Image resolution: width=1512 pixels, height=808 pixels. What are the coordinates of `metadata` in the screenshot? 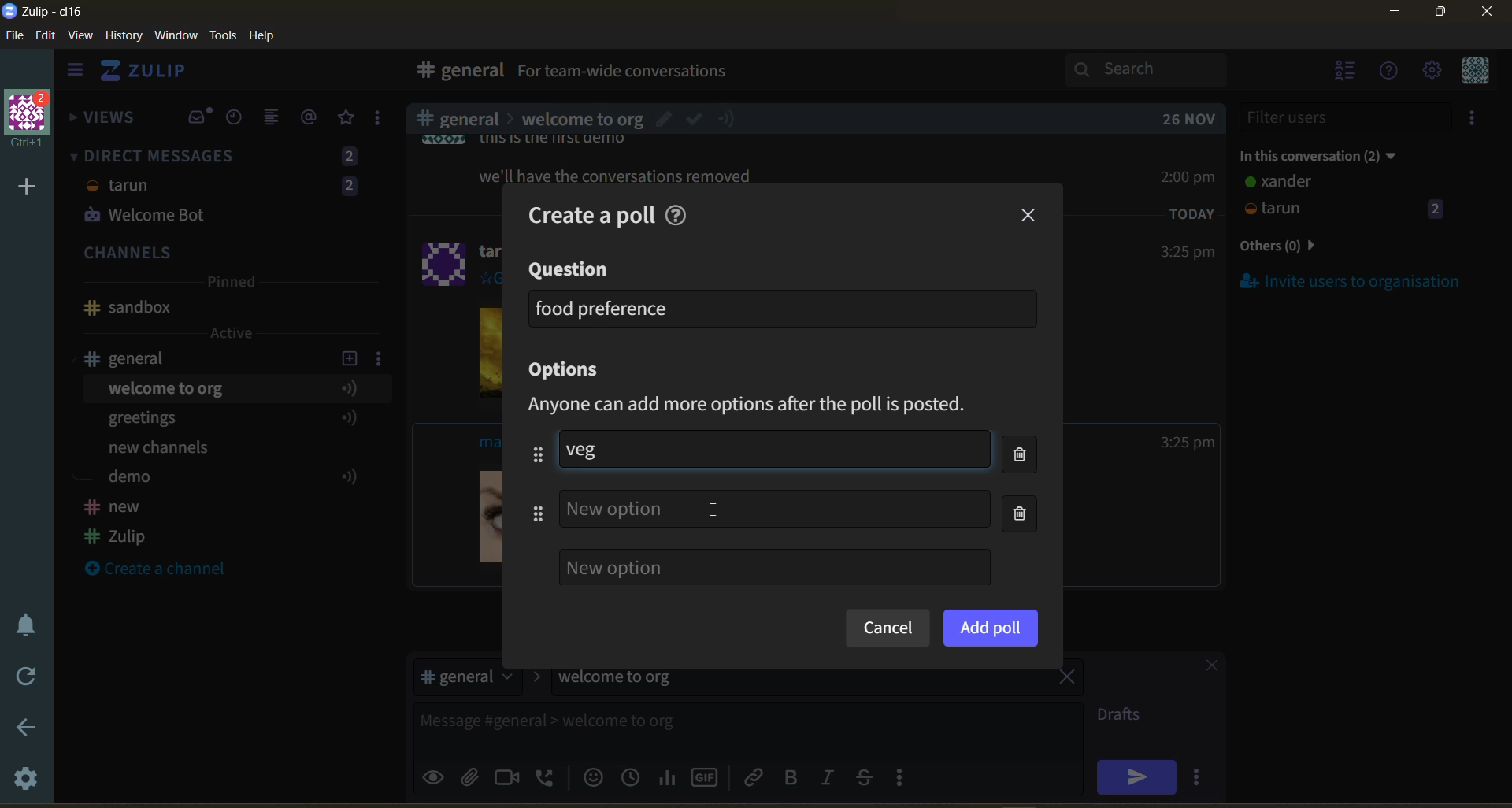 It's located at (762, 406).